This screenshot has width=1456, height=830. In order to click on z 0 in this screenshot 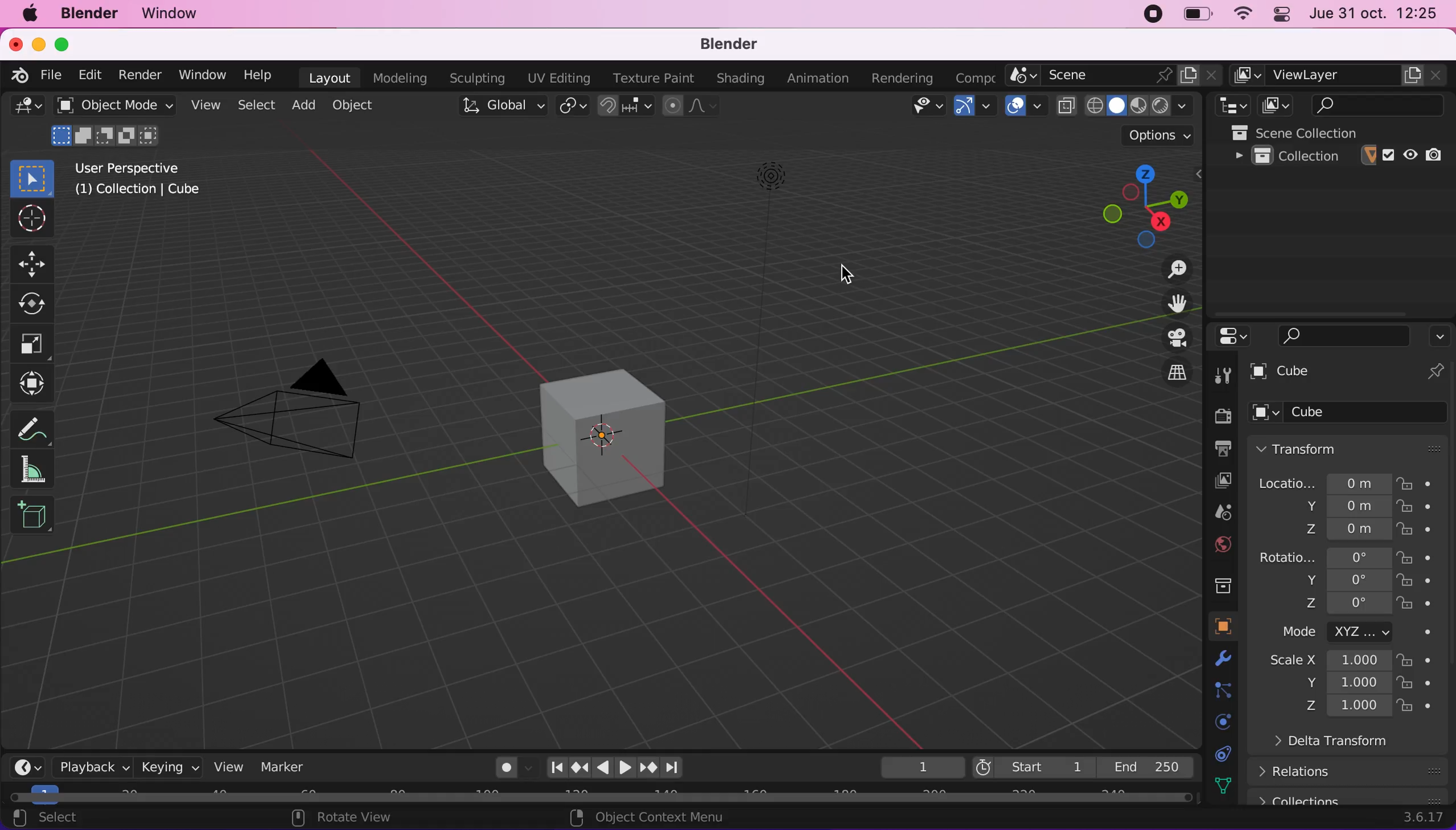, I will do `click(1343, 605)`.